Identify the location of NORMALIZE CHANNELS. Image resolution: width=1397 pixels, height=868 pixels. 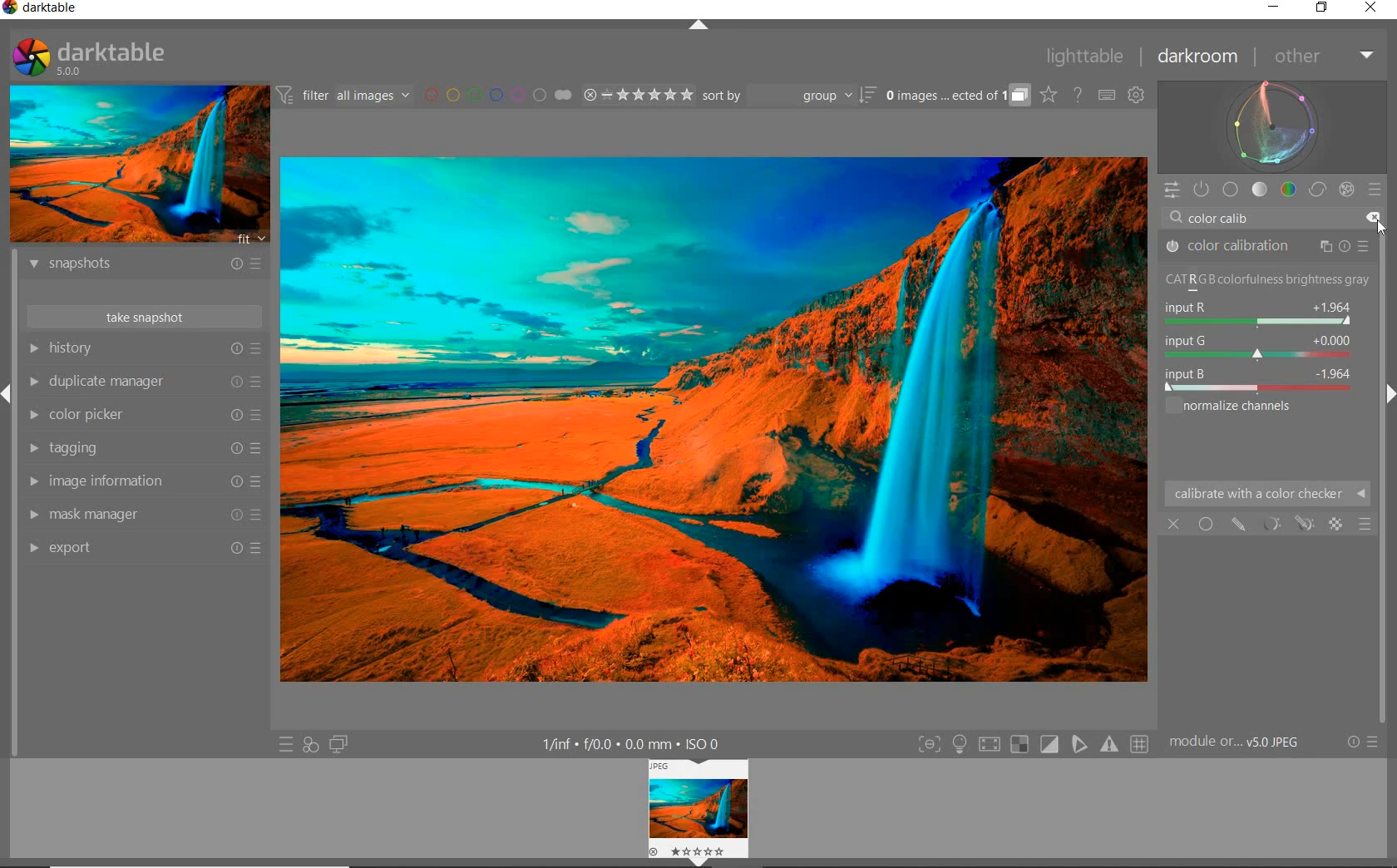
(1251, 406).